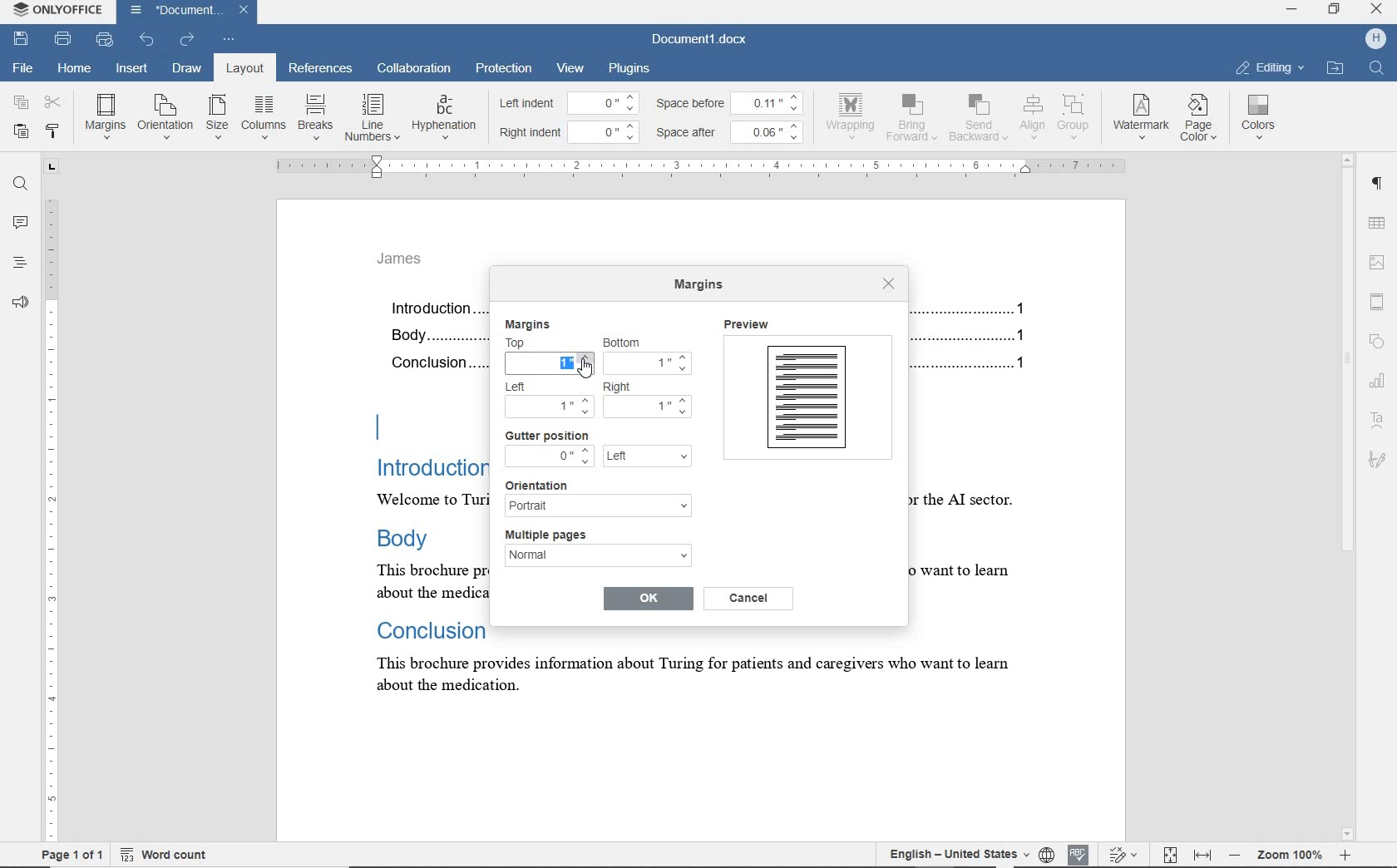 The image size is (1397, 868). What do you see at coordinates (597, 506) in the screenshot?
I see `portrait` at bounding box center [597, 506].